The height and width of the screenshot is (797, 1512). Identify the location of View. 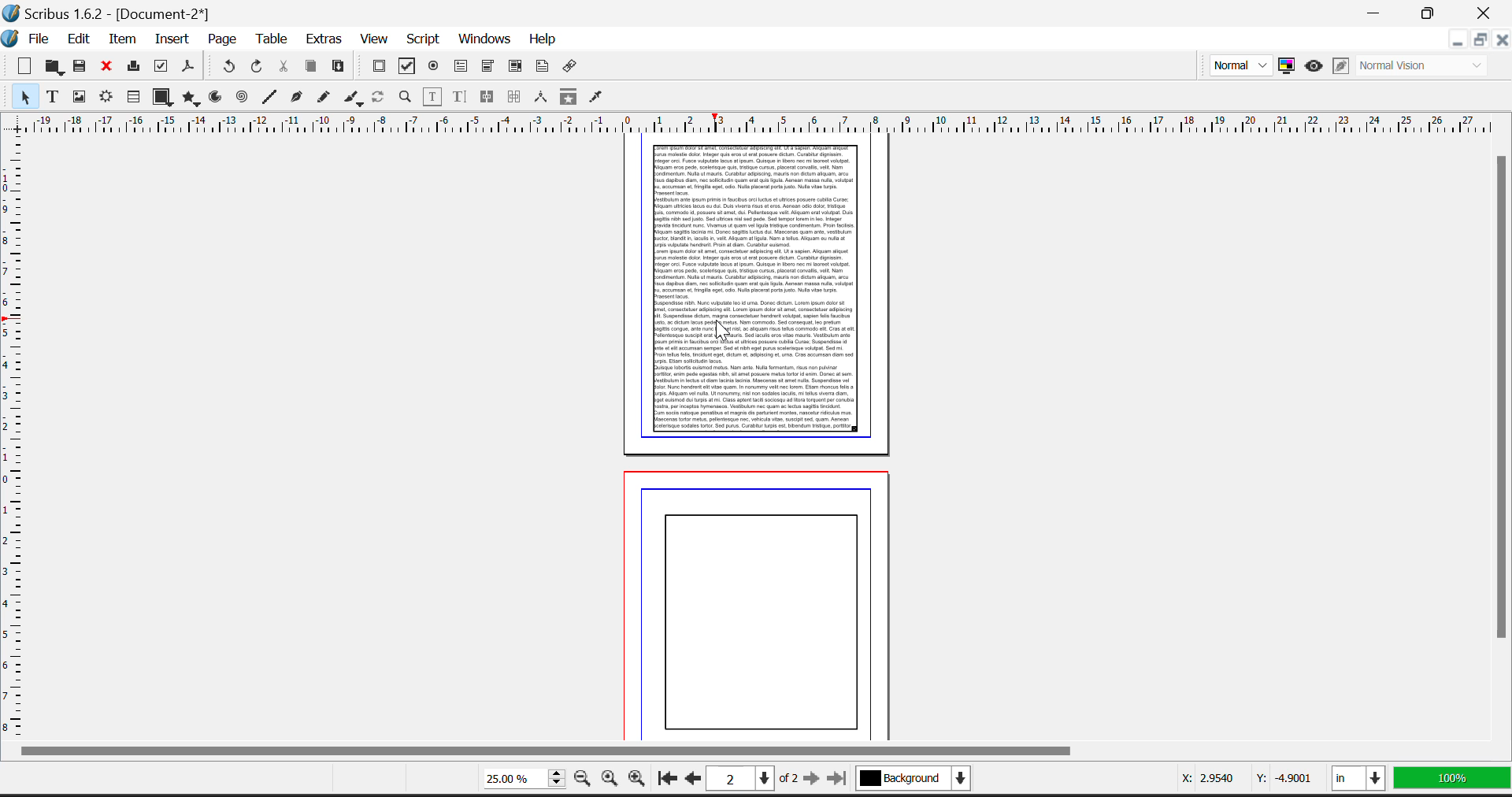
(374, 40).